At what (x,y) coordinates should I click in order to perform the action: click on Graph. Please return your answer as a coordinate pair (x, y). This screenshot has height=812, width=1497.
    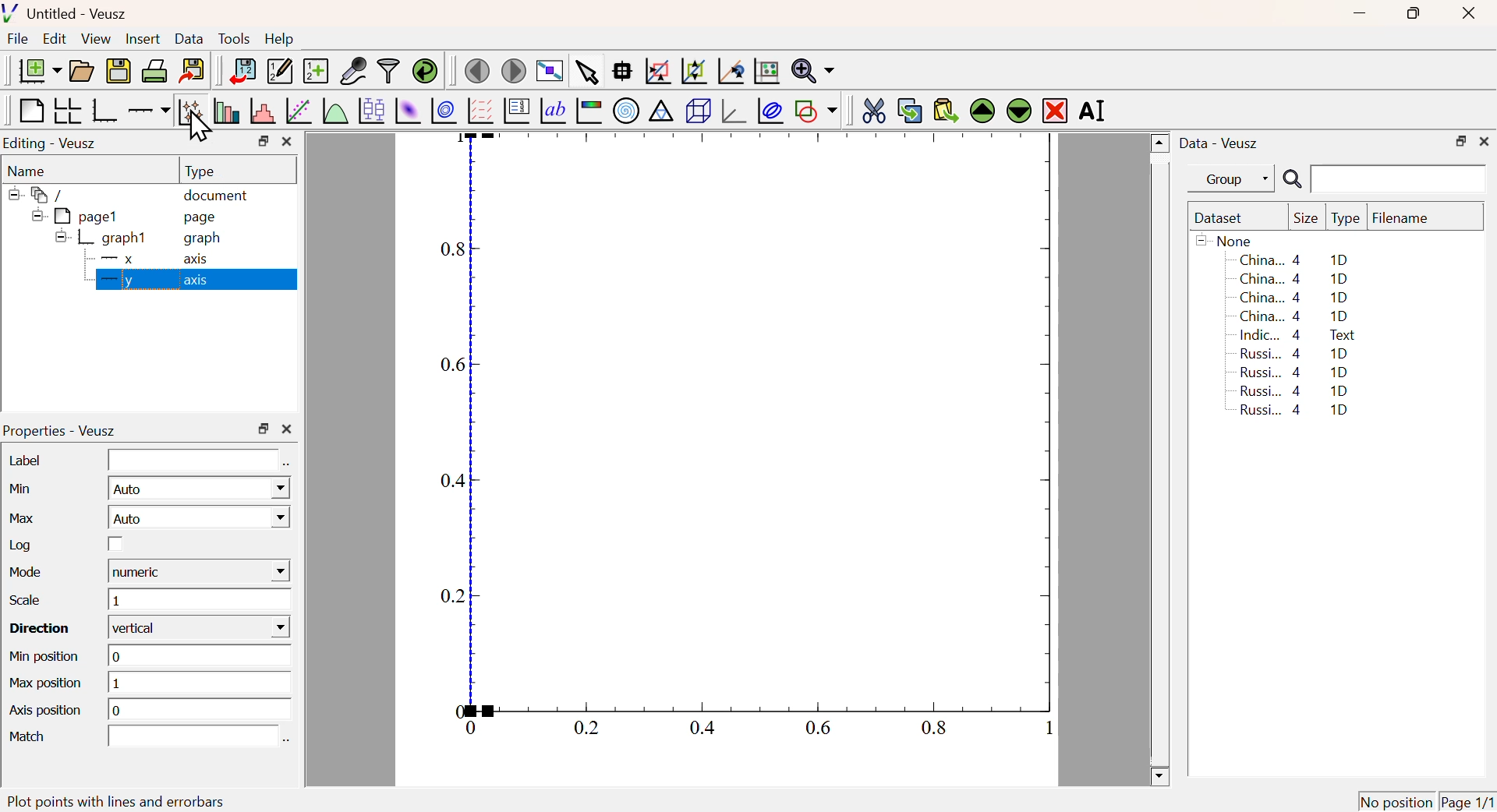
    Looking at the image, I should click on (737, 441).